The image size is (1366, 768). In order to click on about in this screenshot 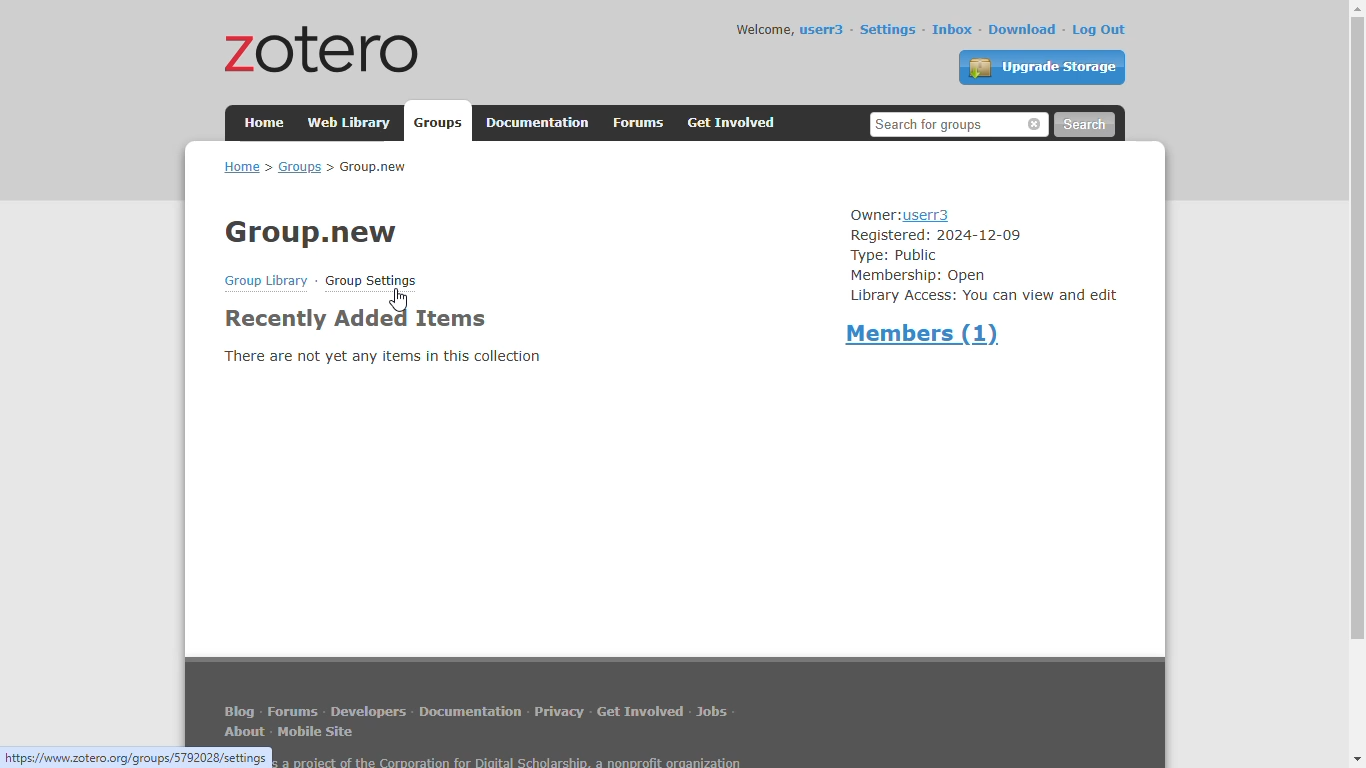, I will do `click(246, 732)`.